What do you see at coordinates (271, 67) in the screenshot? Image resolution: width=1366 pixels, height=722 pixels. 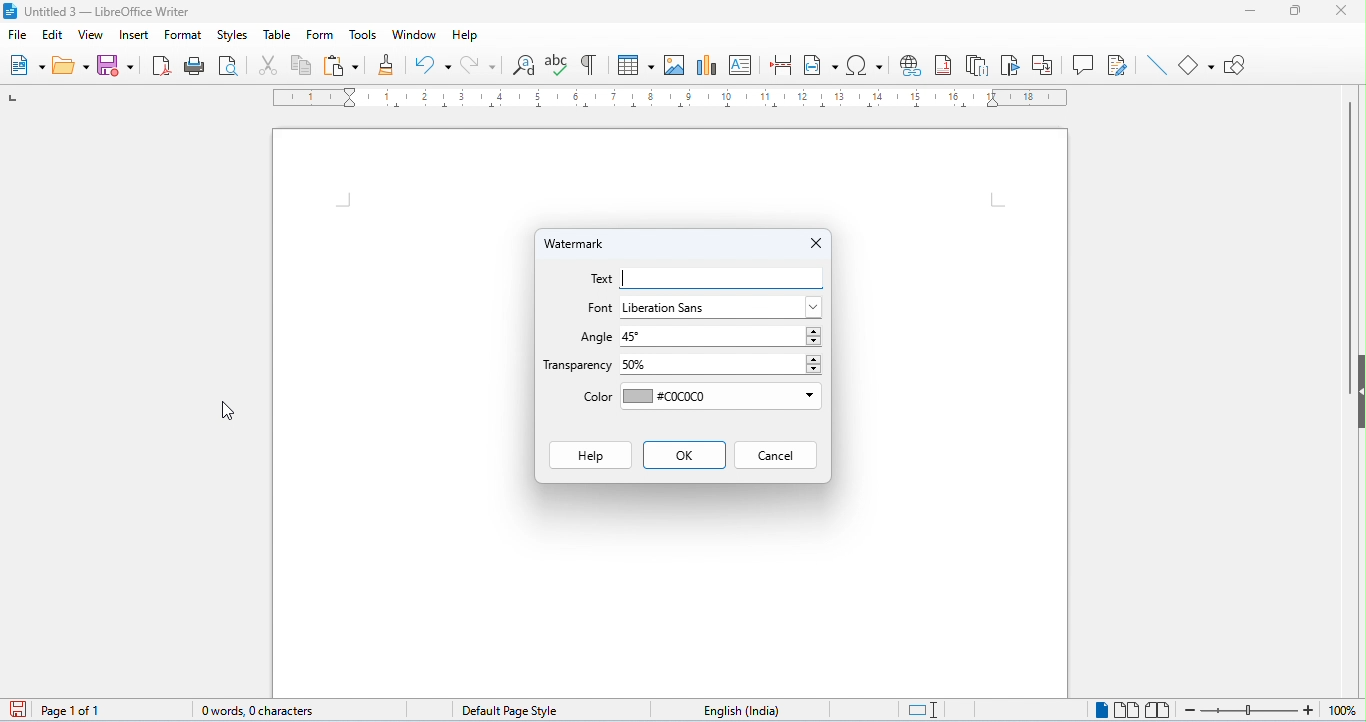 I see `cut` at bounding box center [271, 67].